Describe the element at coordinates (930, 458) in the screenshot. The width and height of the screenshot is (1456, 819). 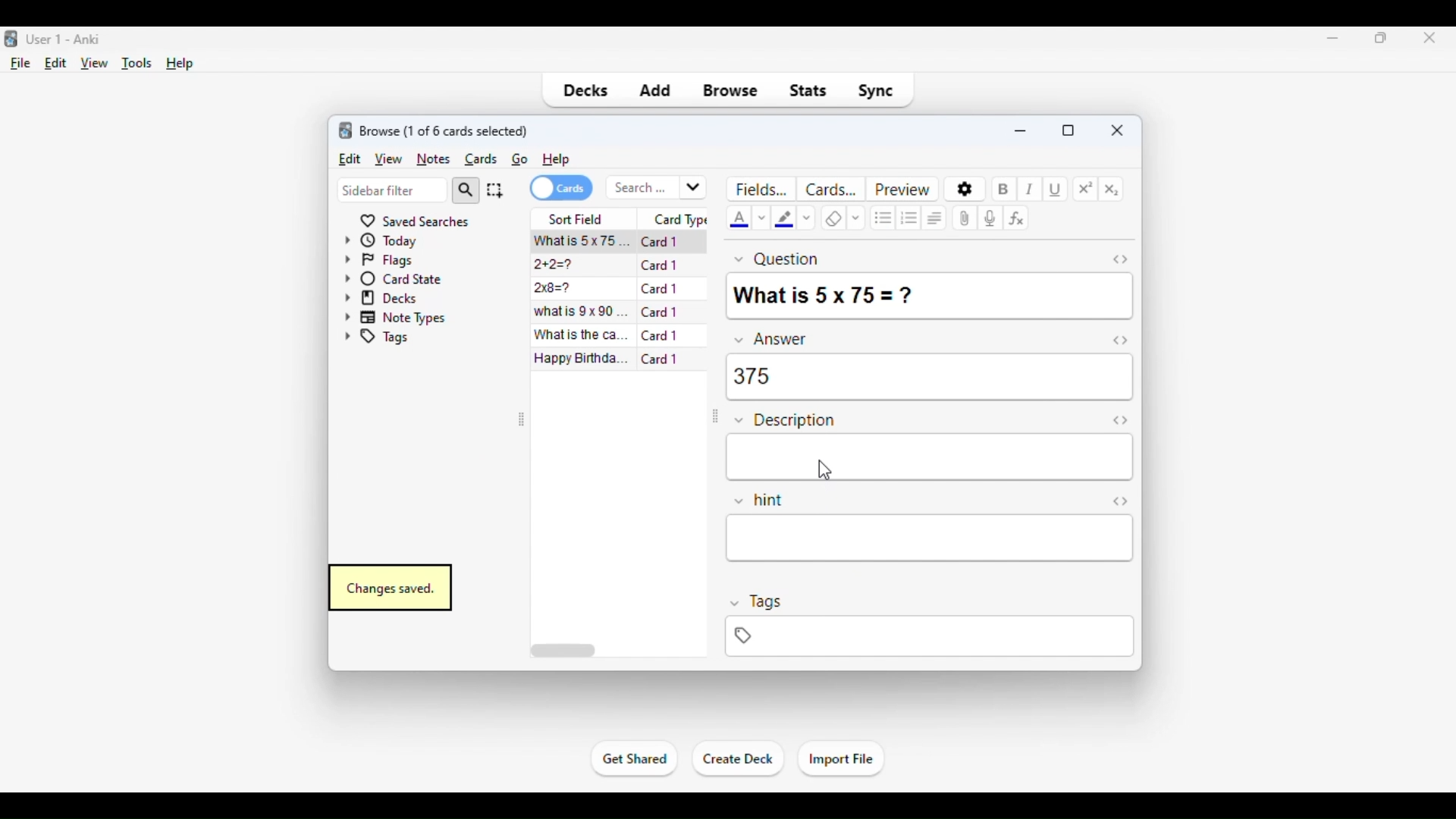
I see `description` at that location.